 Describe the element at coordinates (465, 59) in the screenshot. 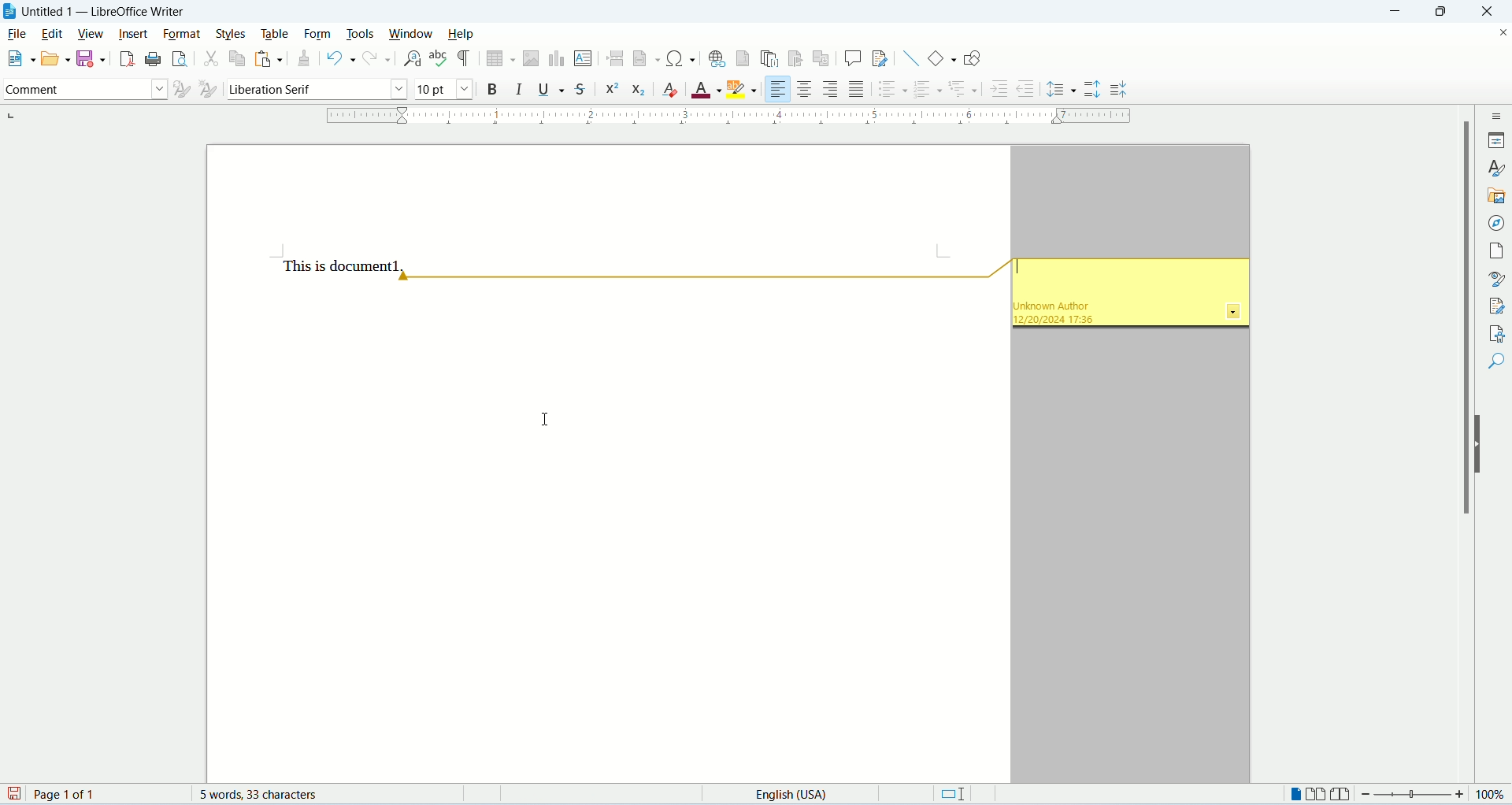

I see `formatting marks` at that location.